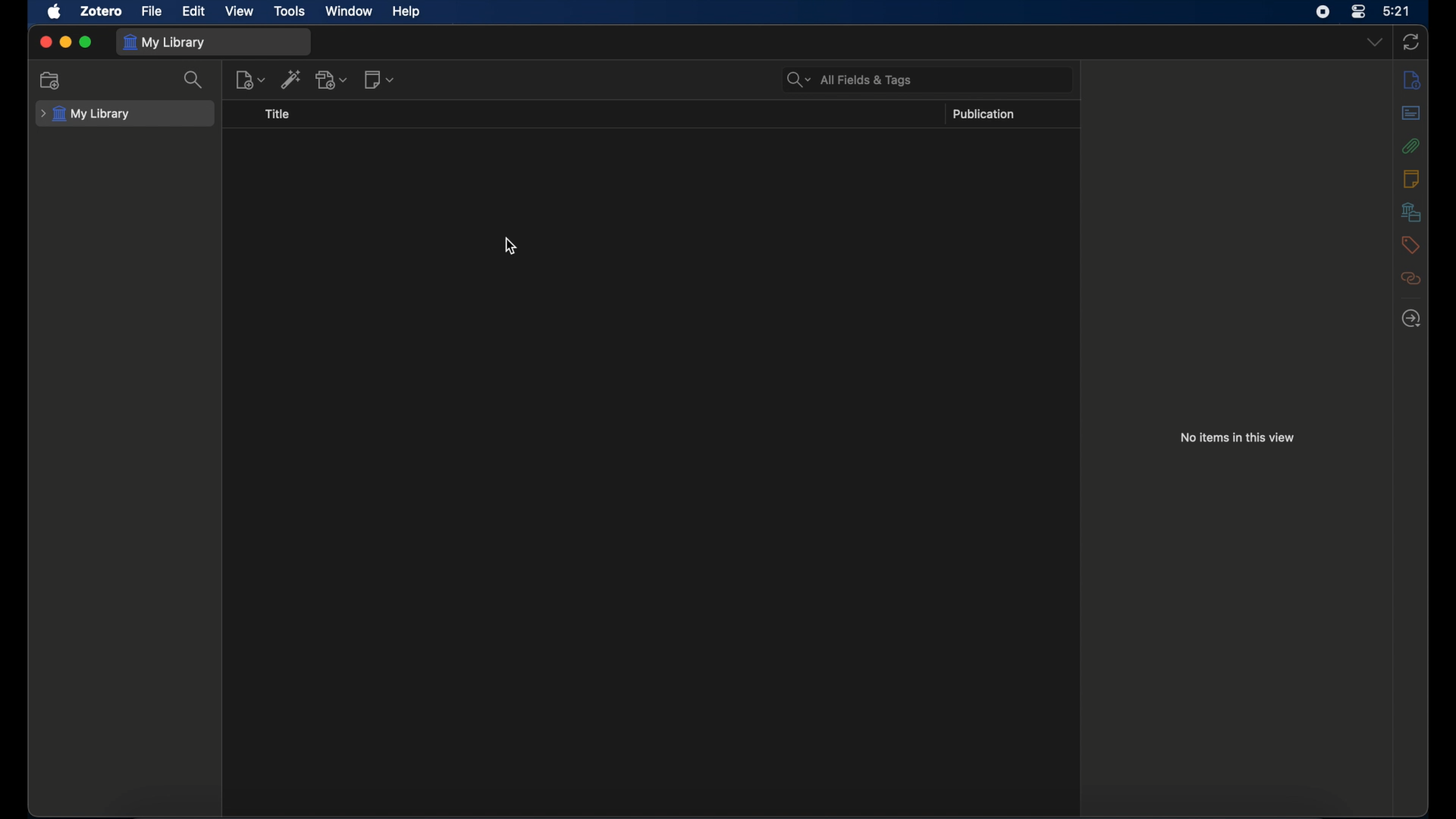  What do you see at coordinates (849, 80) in the screenshot?
I see `search bar` at bounding box center [849, 80].